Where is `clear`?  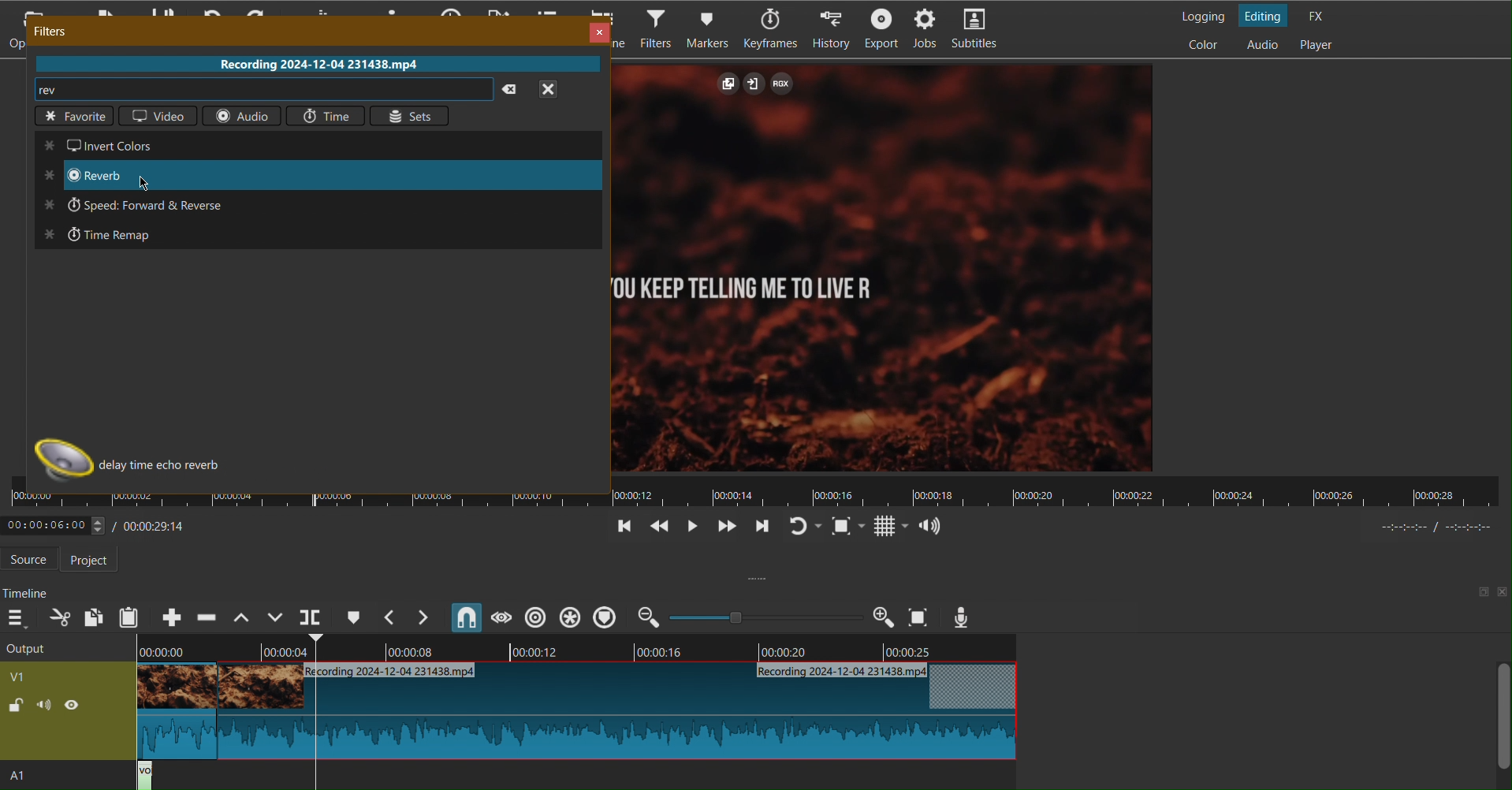
clear is located at coordinates (512, 90).